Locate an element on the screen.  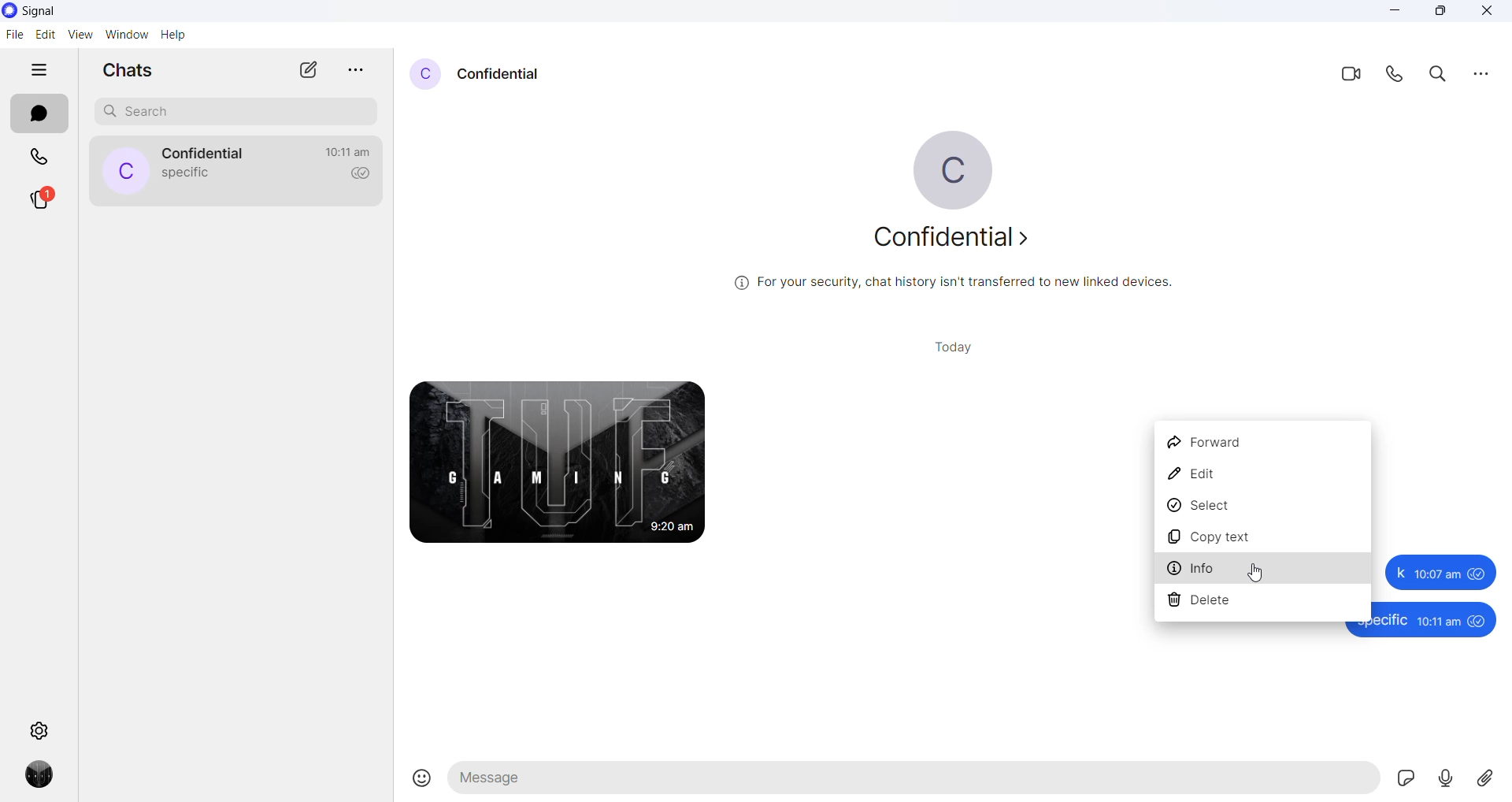
file is located at coordinates (16, 36).